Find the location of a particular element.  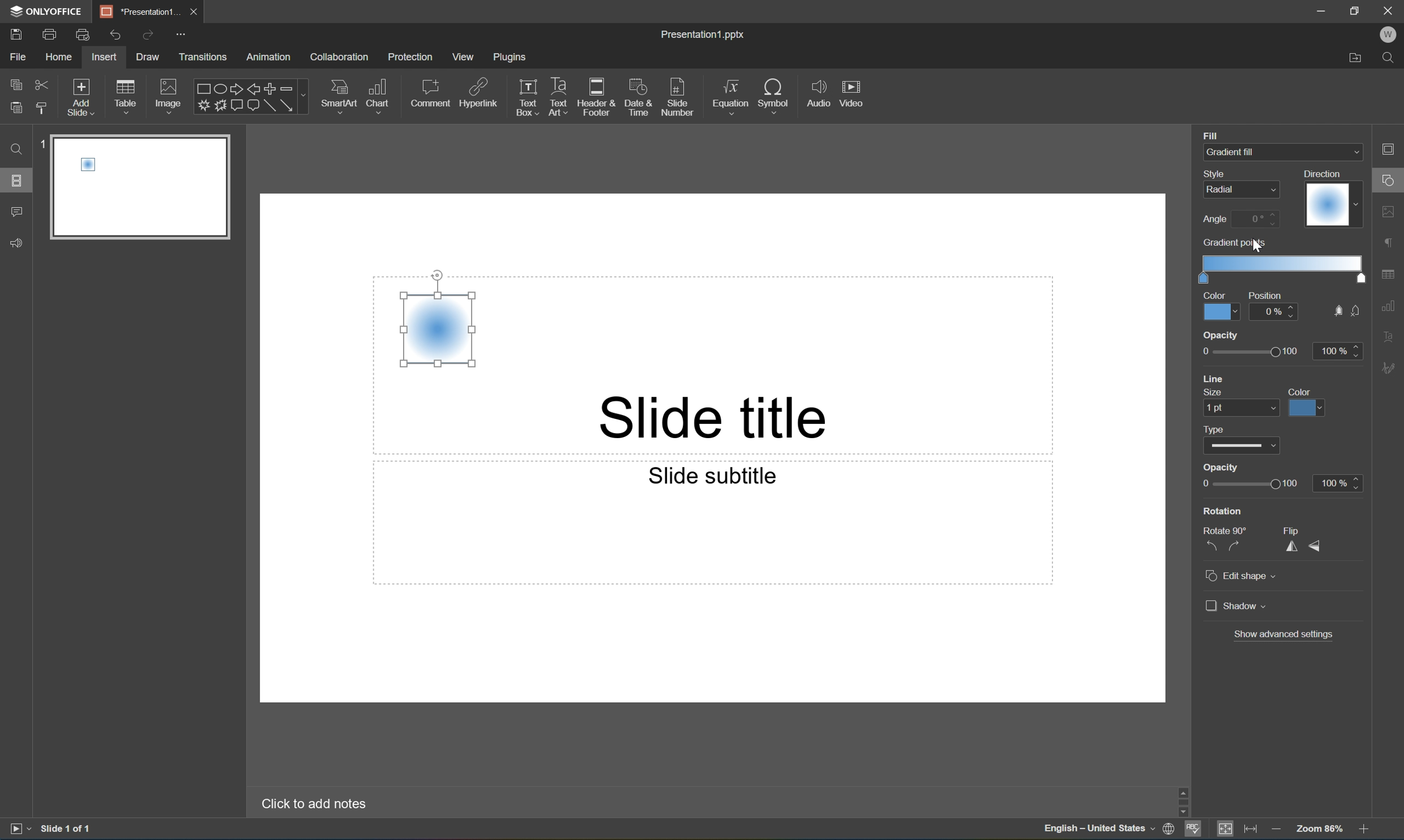

Audio is located at coordinates (819, 93).